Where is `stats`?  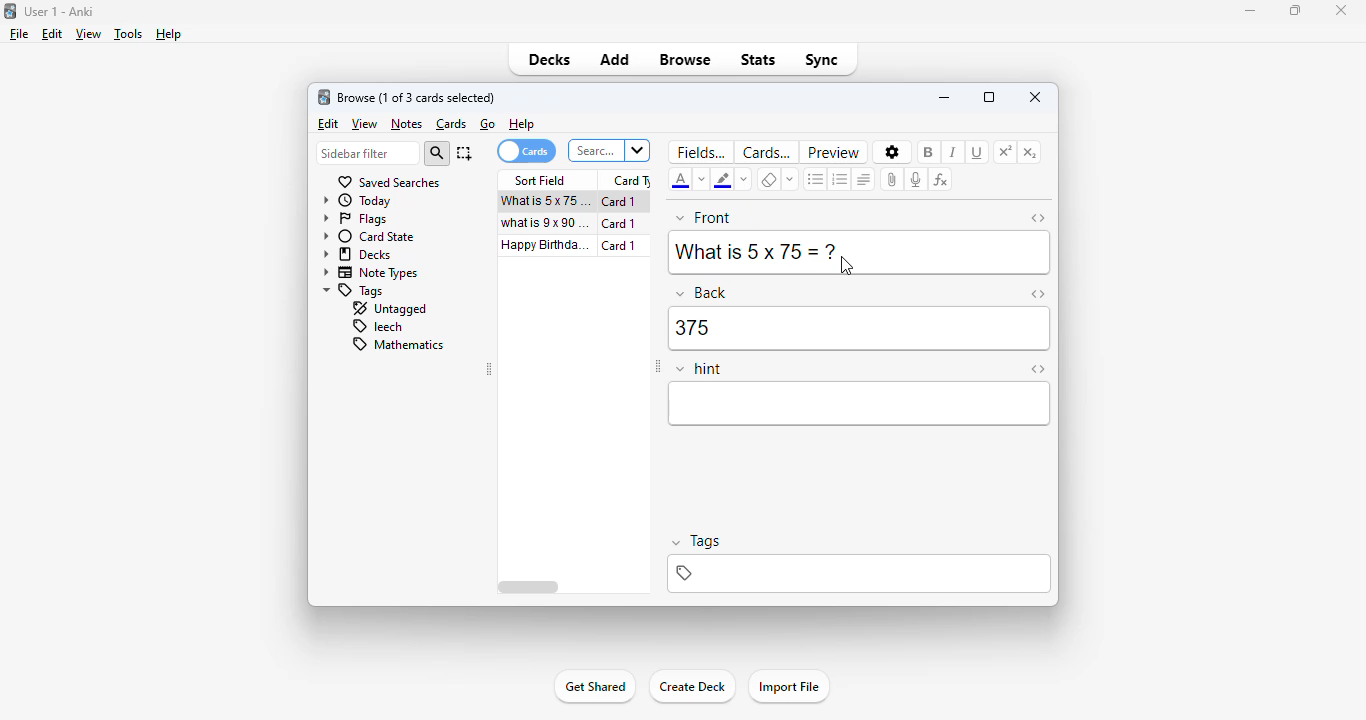 stats is located at coordinates (758, 61).